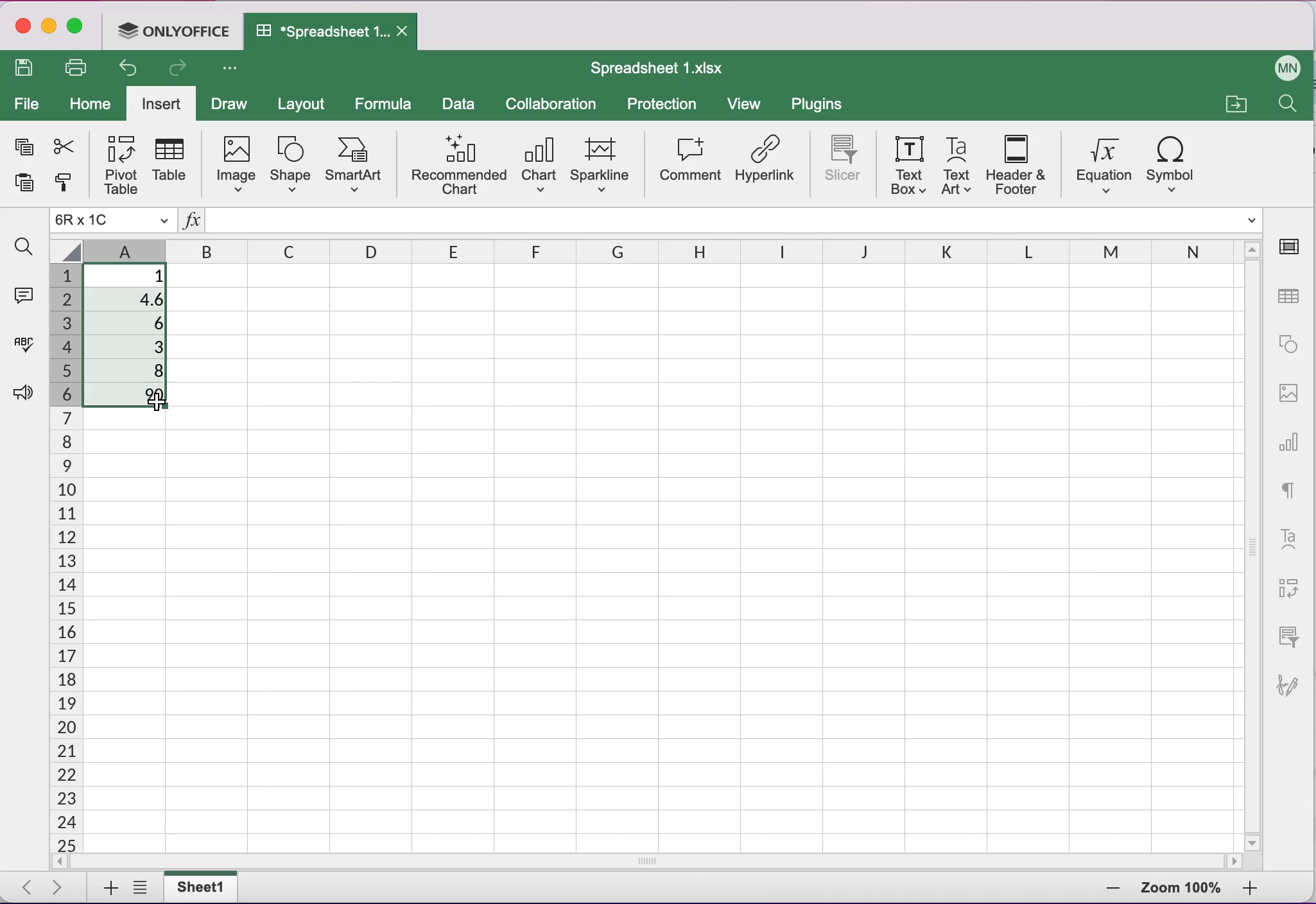  What do you see at coordinates (22, 391) in the screenshot?
I see `feedback and support` at bounding box center [22, 391].